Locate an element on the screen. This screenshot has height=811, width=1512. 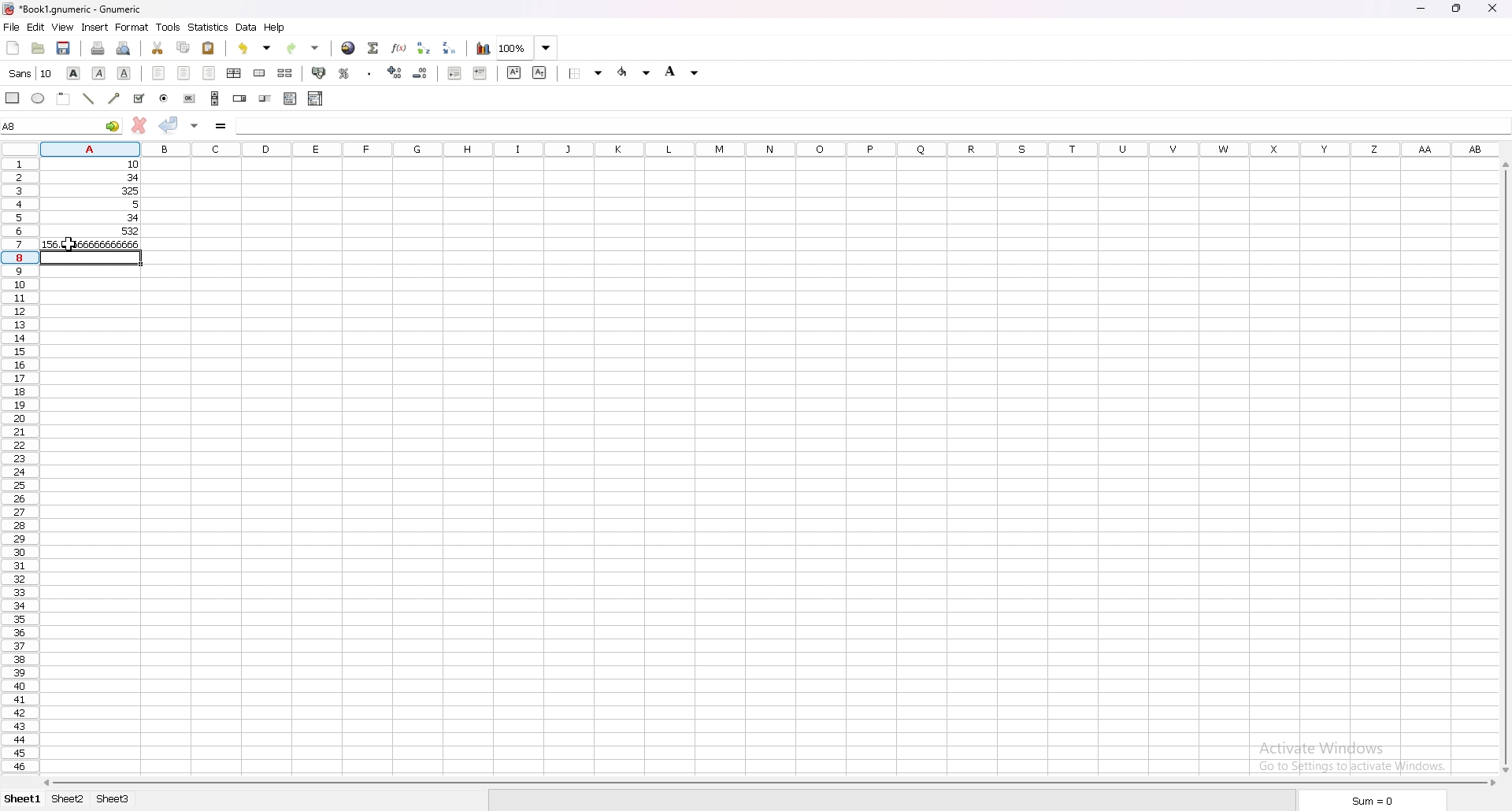
new is located at coordinates (14, 47).